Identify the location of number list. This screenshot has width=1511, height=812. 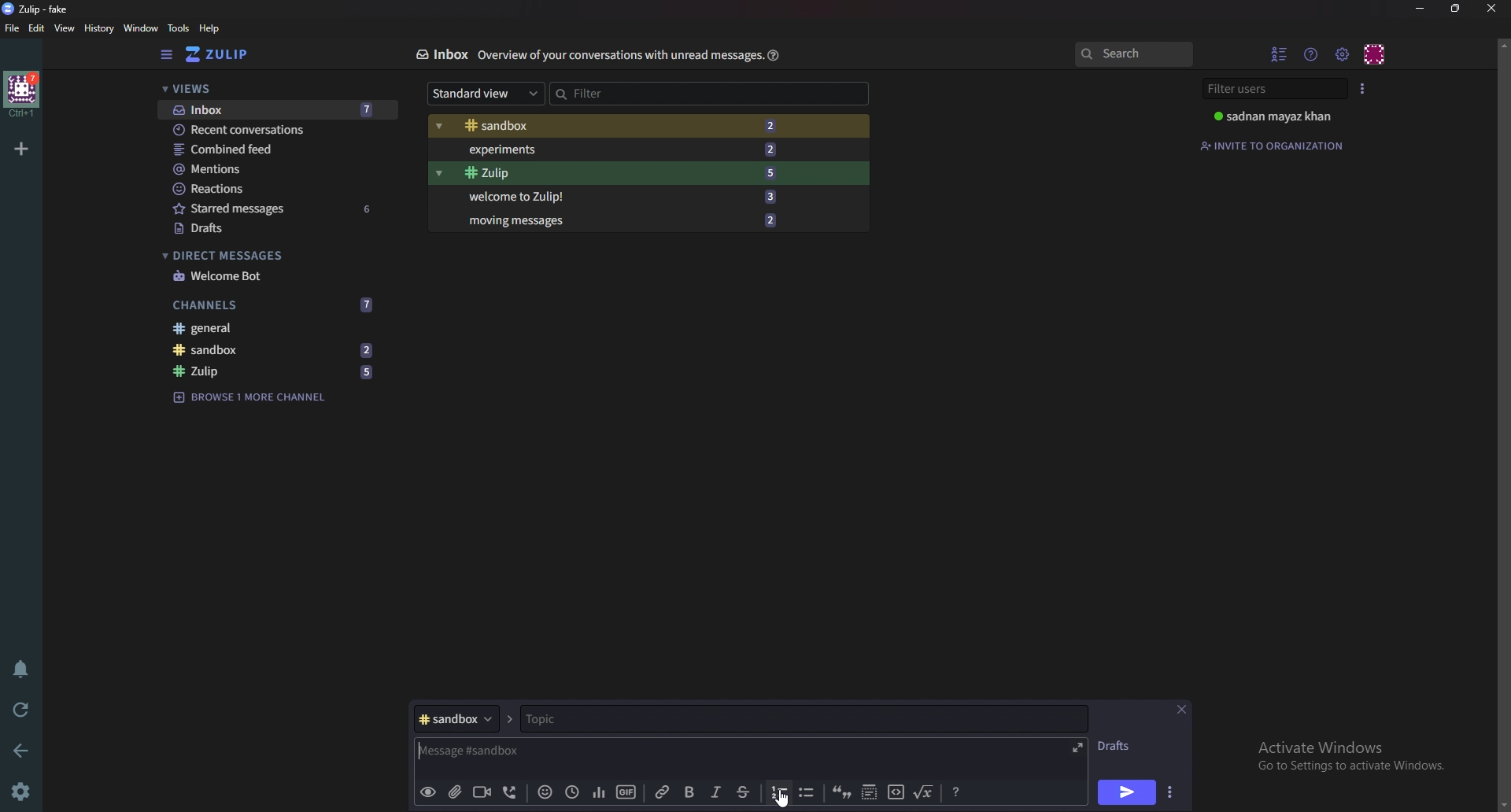
(779, 792).